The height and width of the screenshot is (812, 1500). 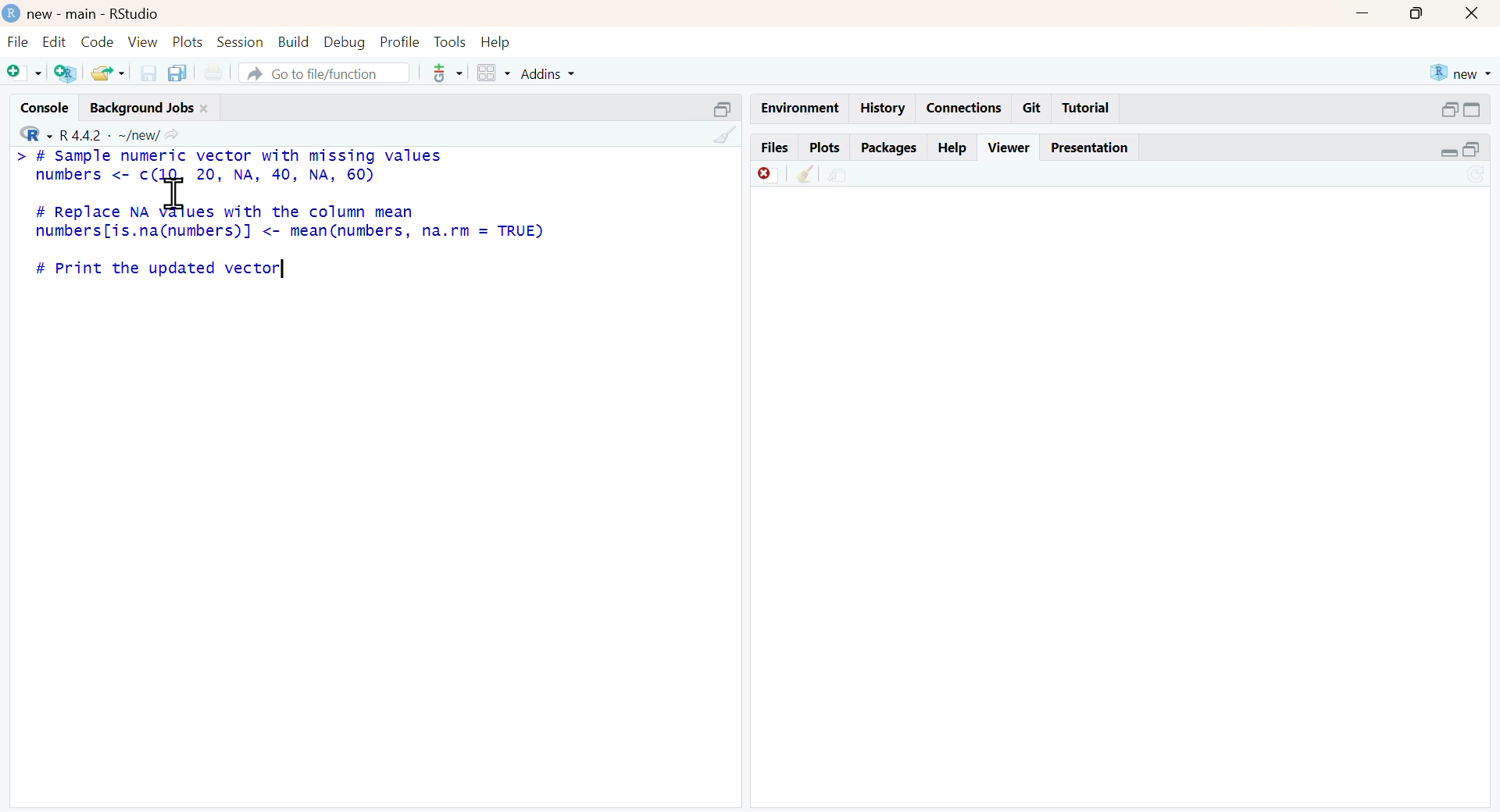 What do you see at coordinates (802, 109) in the screenshot?
I see `enviornment` at bounding box center [802, 109].